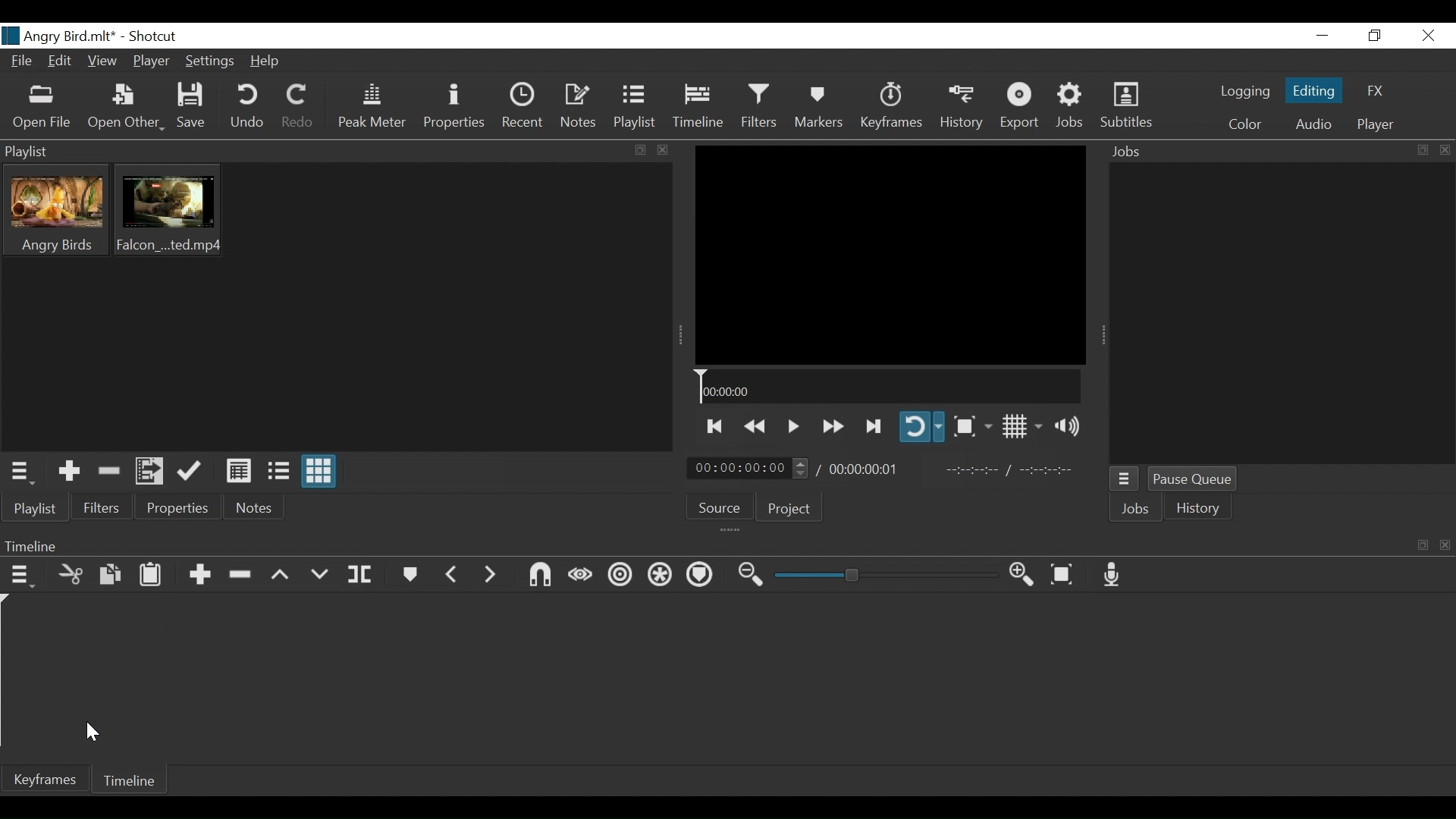  Describe the element at coordinates (621, 578) in the screenshot. I see `Ripple` at that location.